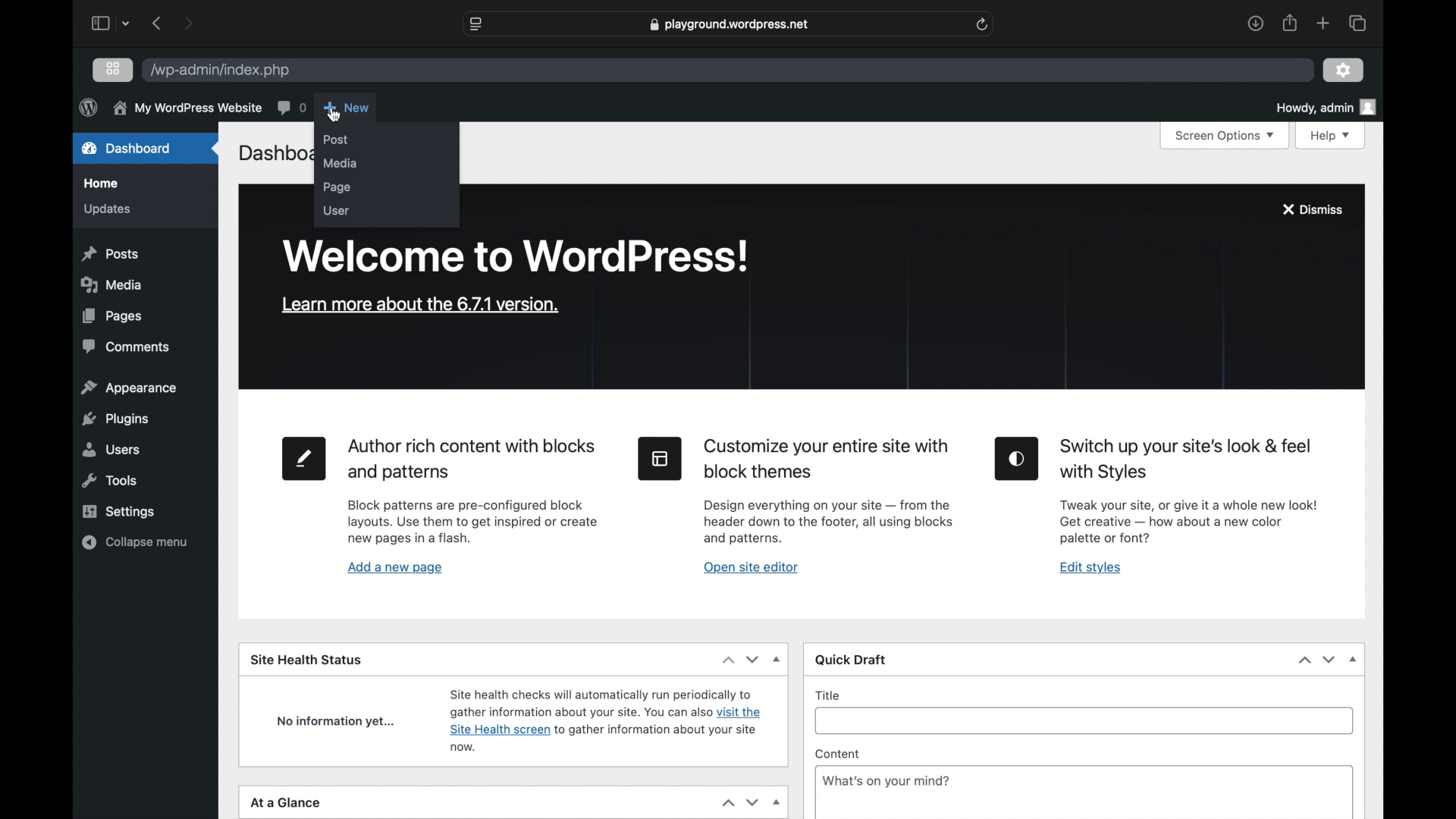 This screenshot has width=1456, height=819. I want to click on appearance, so click(130, 388).